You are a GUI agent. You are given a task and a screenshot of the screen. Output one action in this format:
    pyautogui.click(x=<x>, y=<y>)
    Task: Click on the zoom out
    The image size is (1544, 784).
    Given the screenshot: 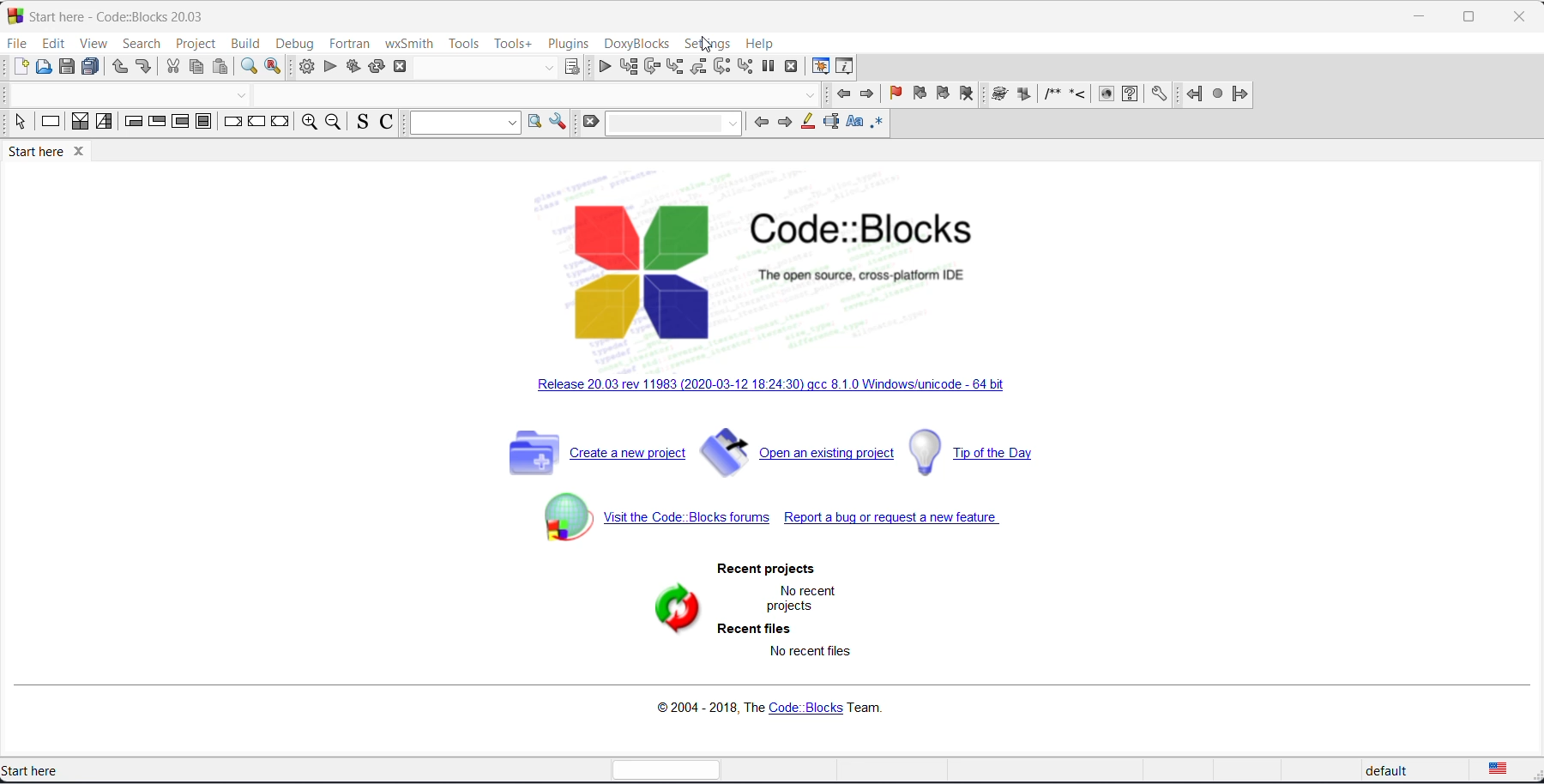 What is the action you would take?
    pyautogui.click(x=335, y=121)
    